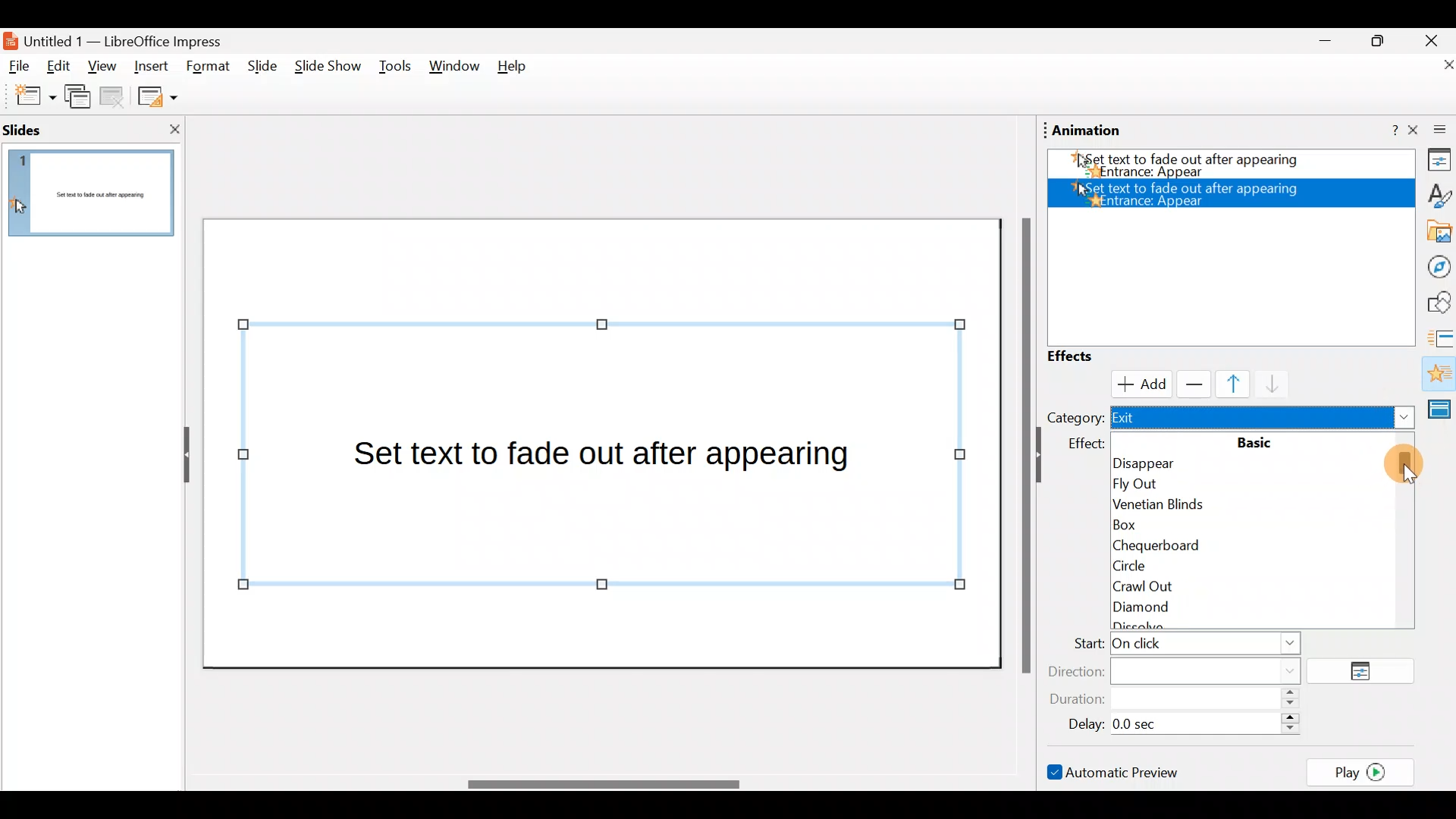  I want to click on Slide show, so click(326, 70).